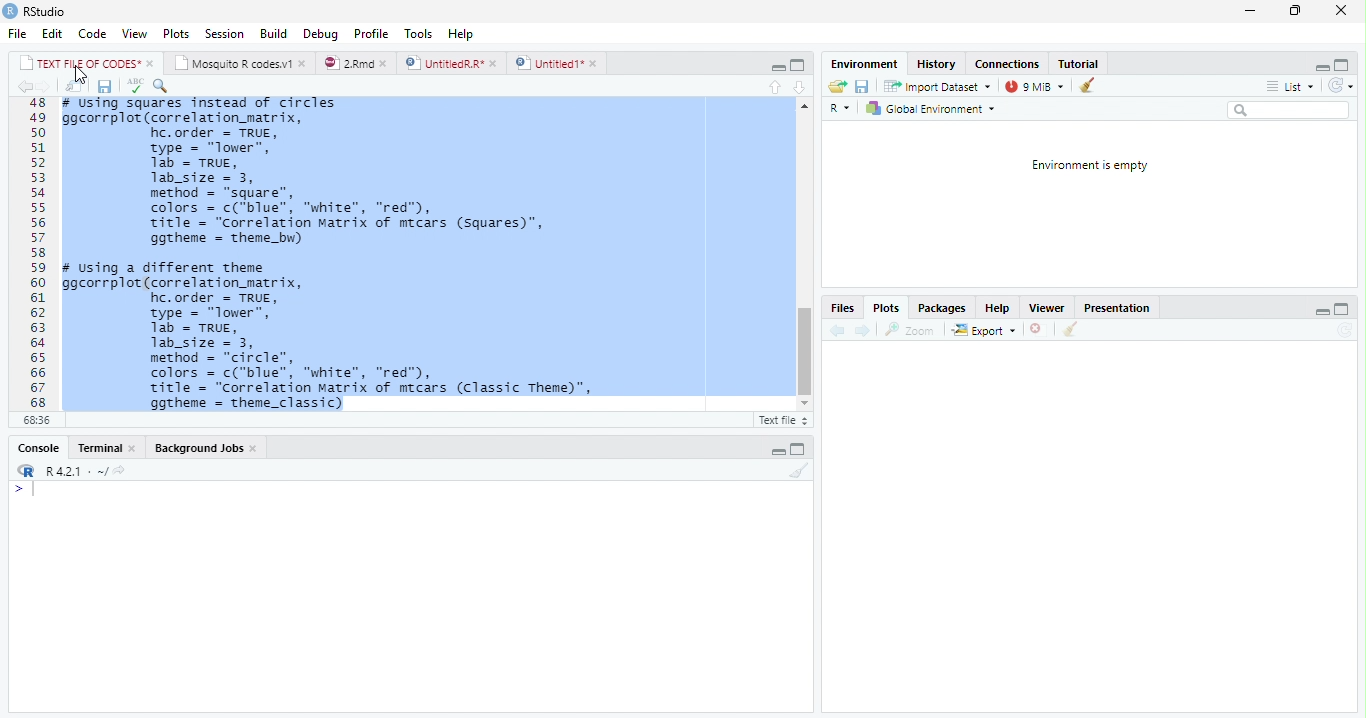  Describe the element at coordinates (775, 67) in the screenshot. I see `hide r script` at that location.